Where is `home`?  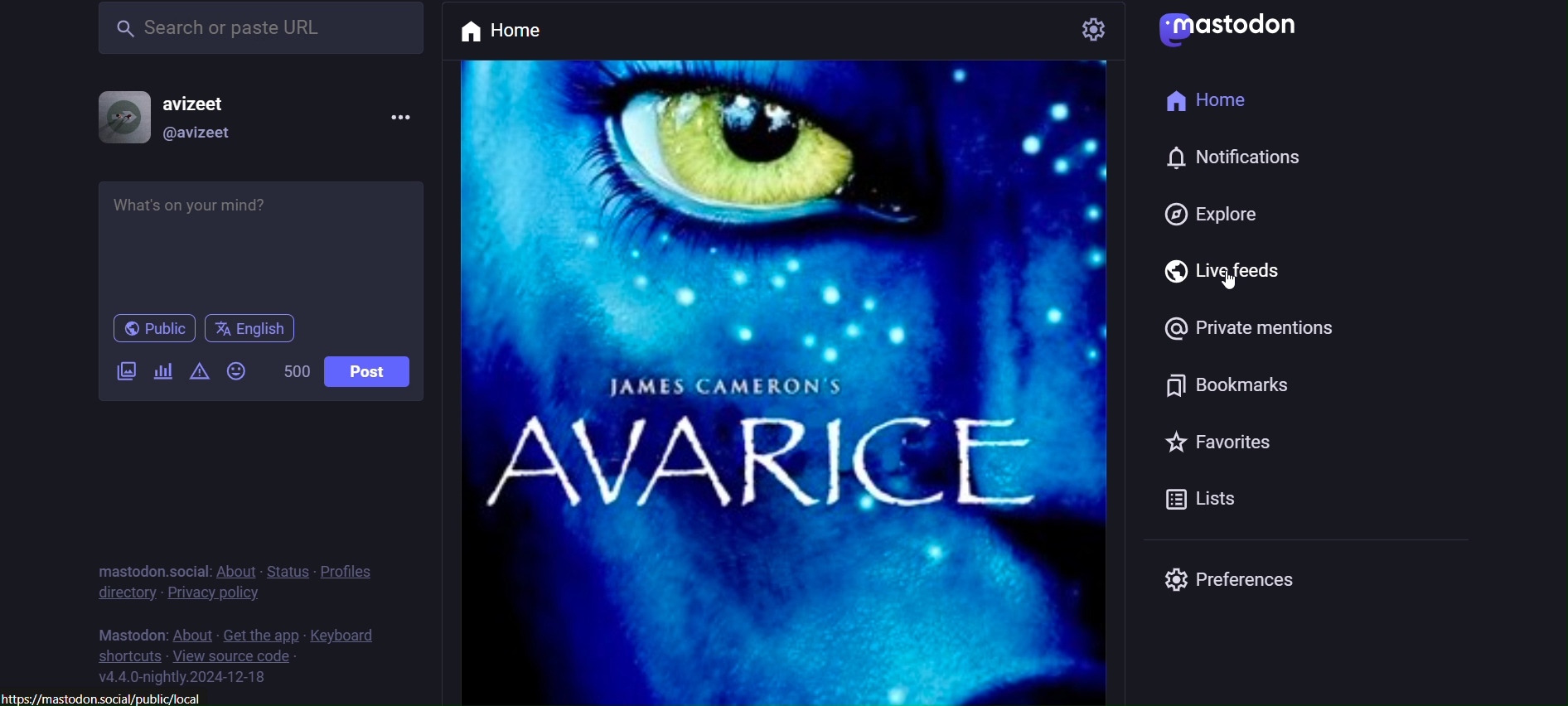 home is located at coordinates (537, 31).